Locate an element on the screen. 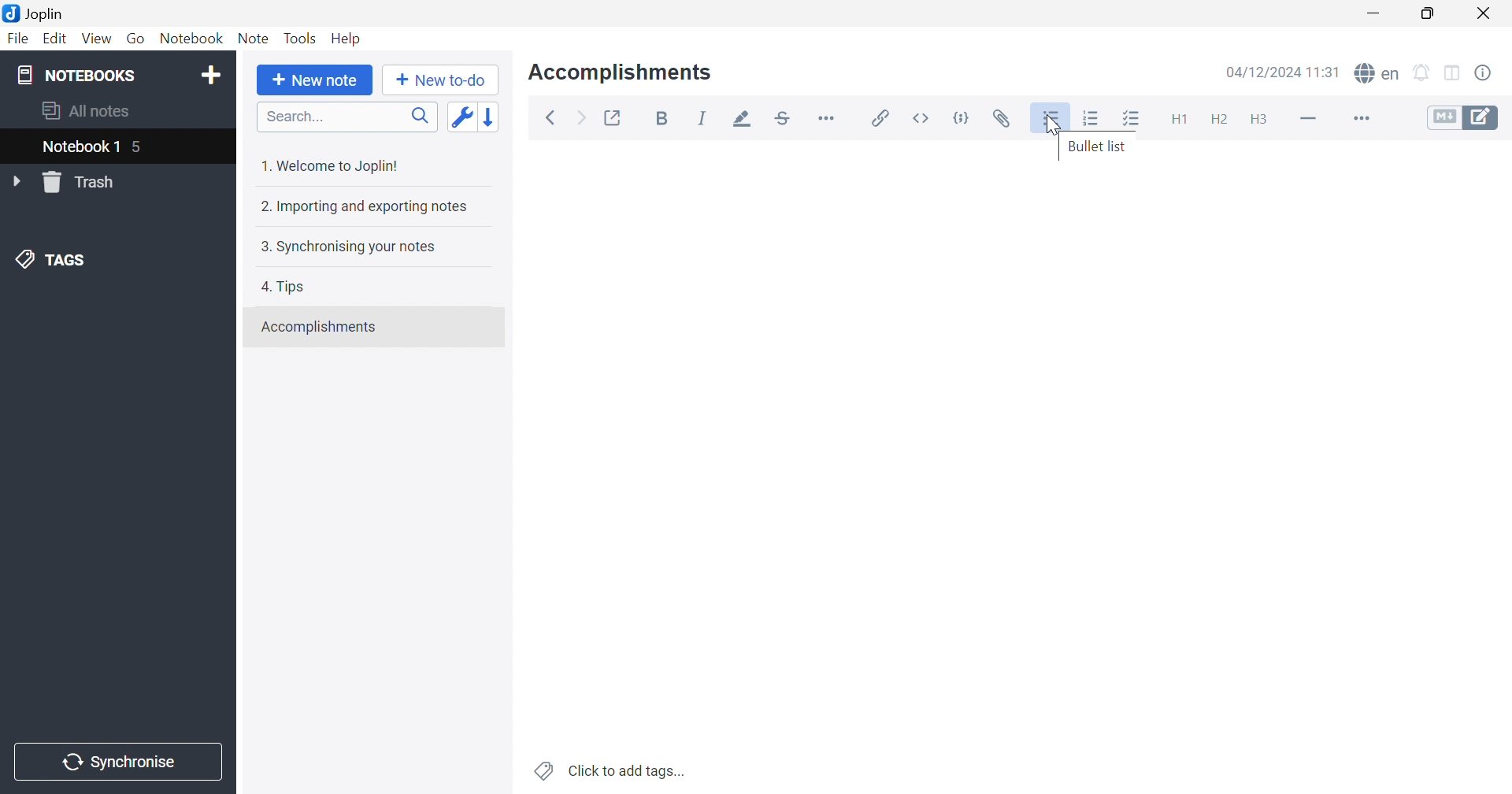 Image resolution: width=1512 pixels, height=794 pixels. 3. Synchronising your notes is located at coordinates (347, 245).